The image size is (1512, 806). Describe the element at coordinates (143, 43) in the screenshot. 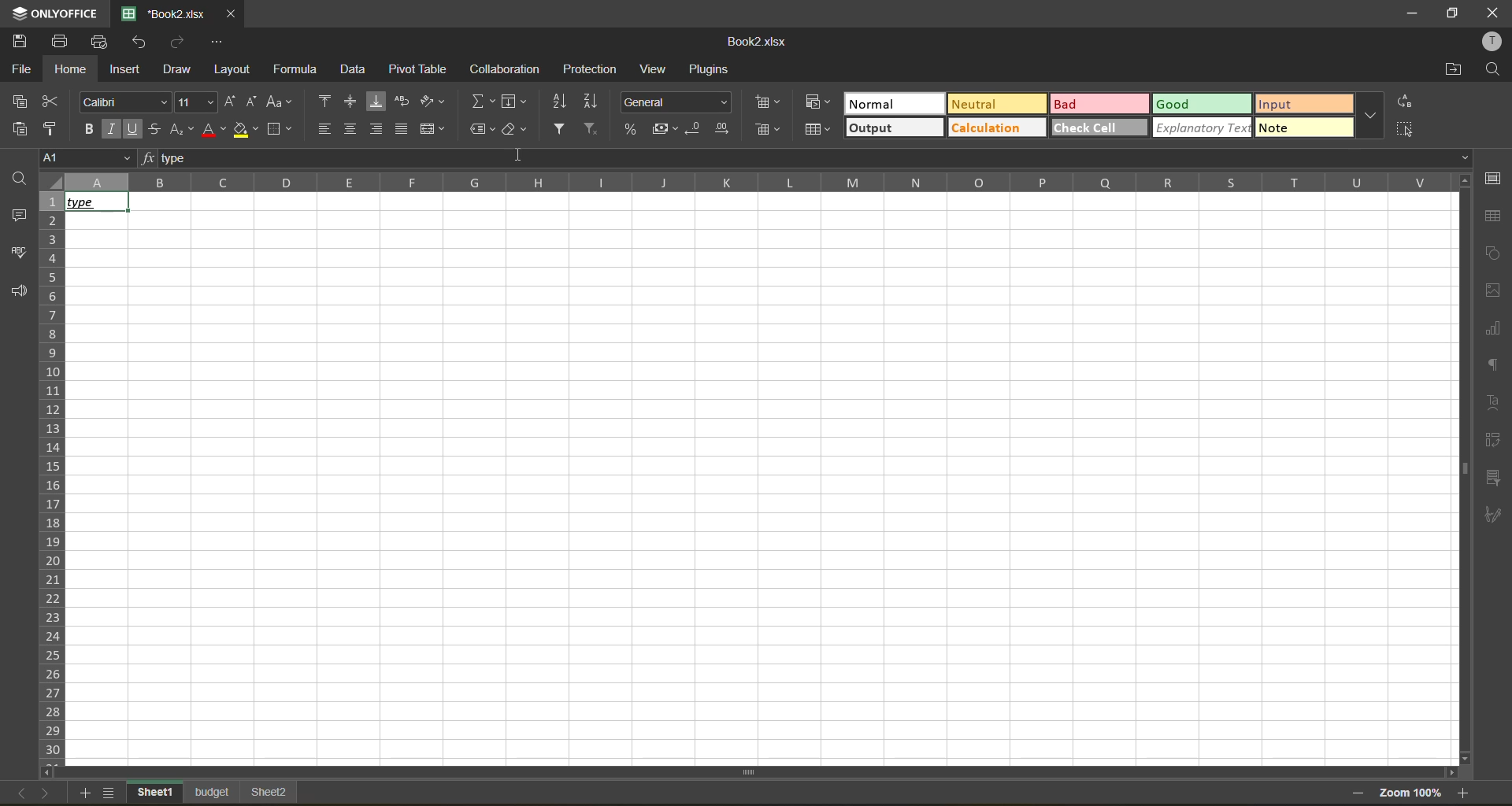

I see `undo` at that location.